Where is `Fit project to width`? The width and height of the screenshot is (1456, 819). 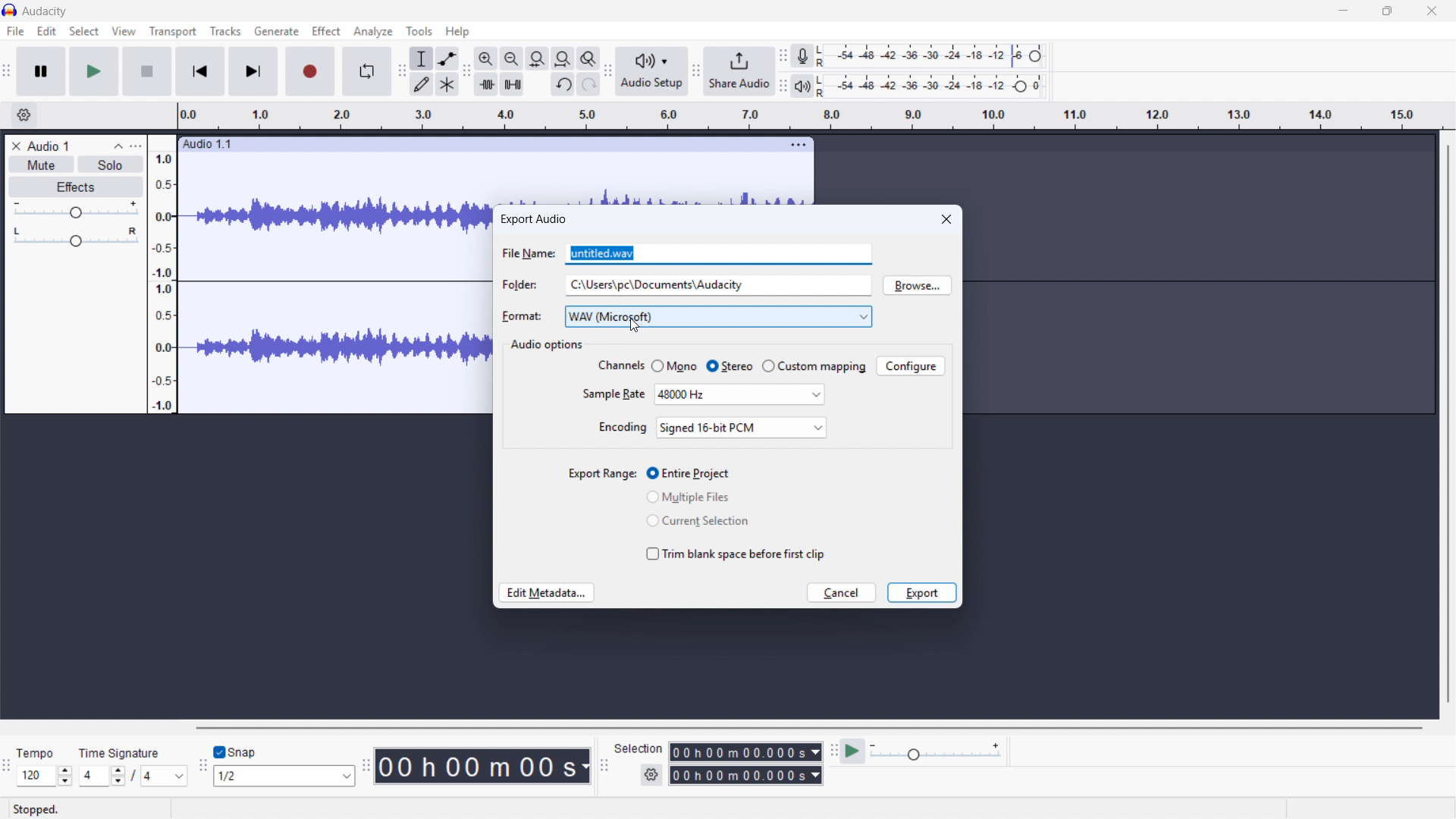
Fit project to width is located at coordinates (563, 58).